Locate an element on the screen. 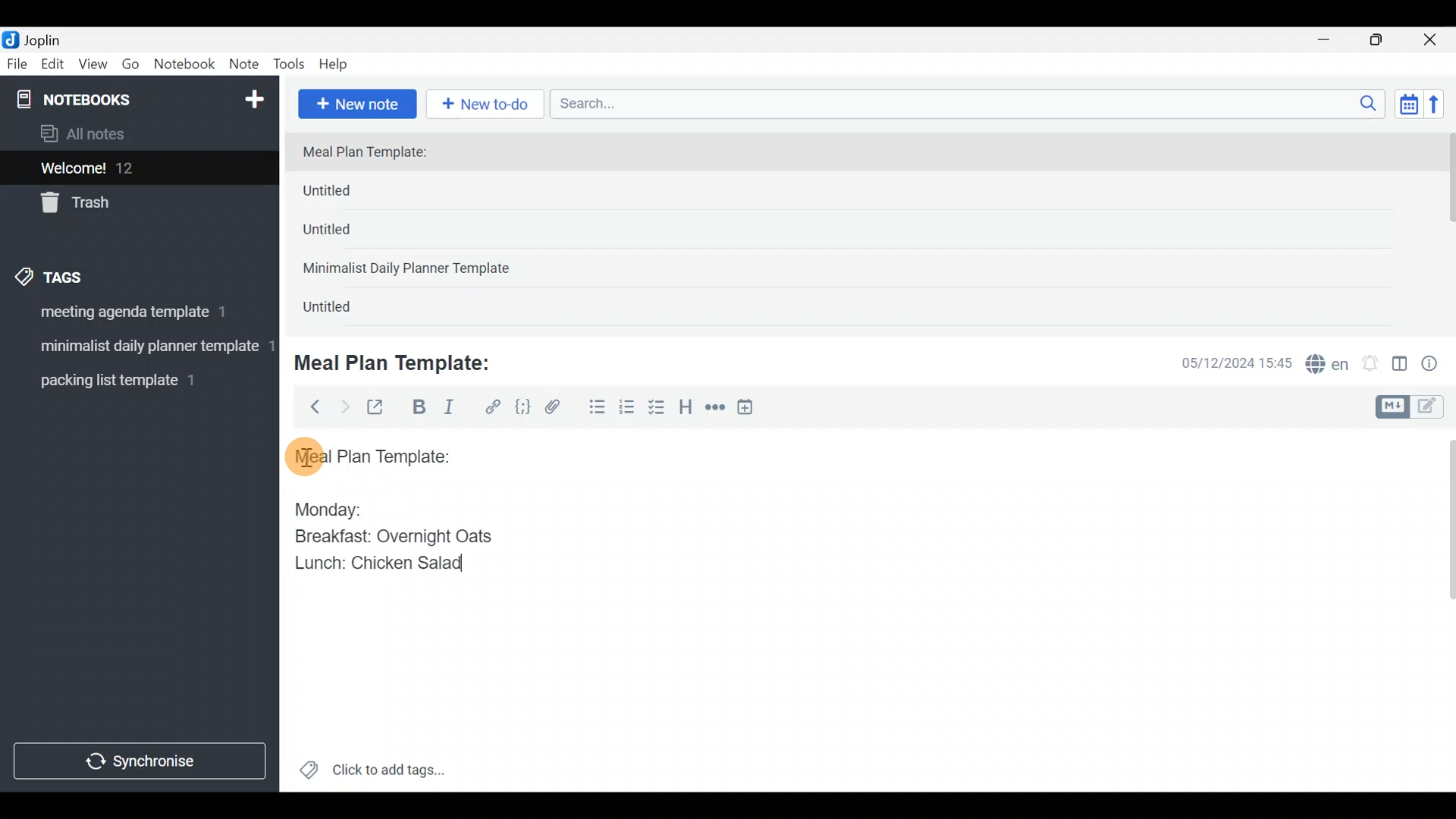 The width and height of the screenshot is (1456, 819). Lunch: Chicken Salad is located at coordinates (377, 563).